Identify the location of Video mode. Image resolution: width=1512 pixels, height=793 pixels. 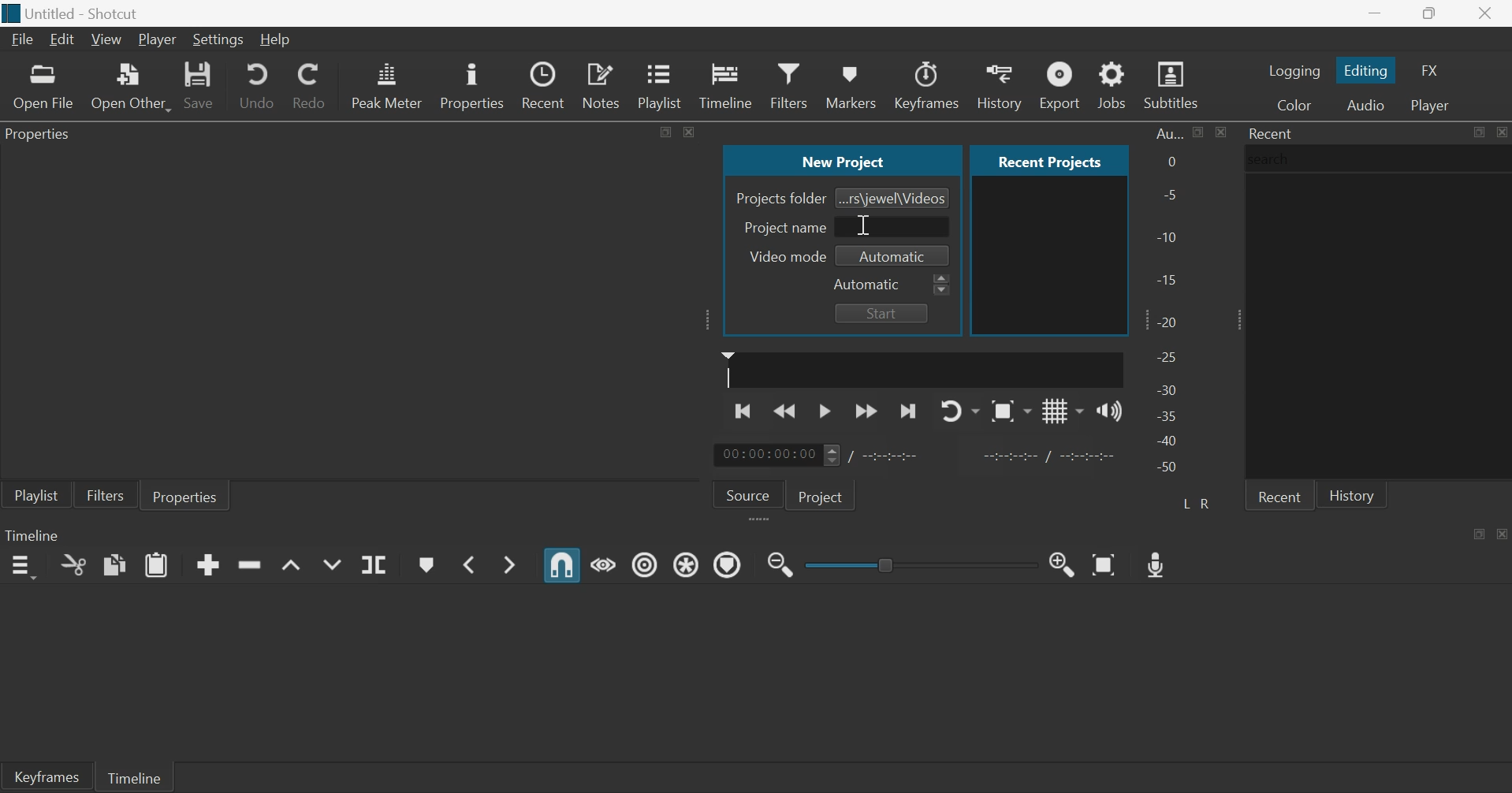
(784, 256).